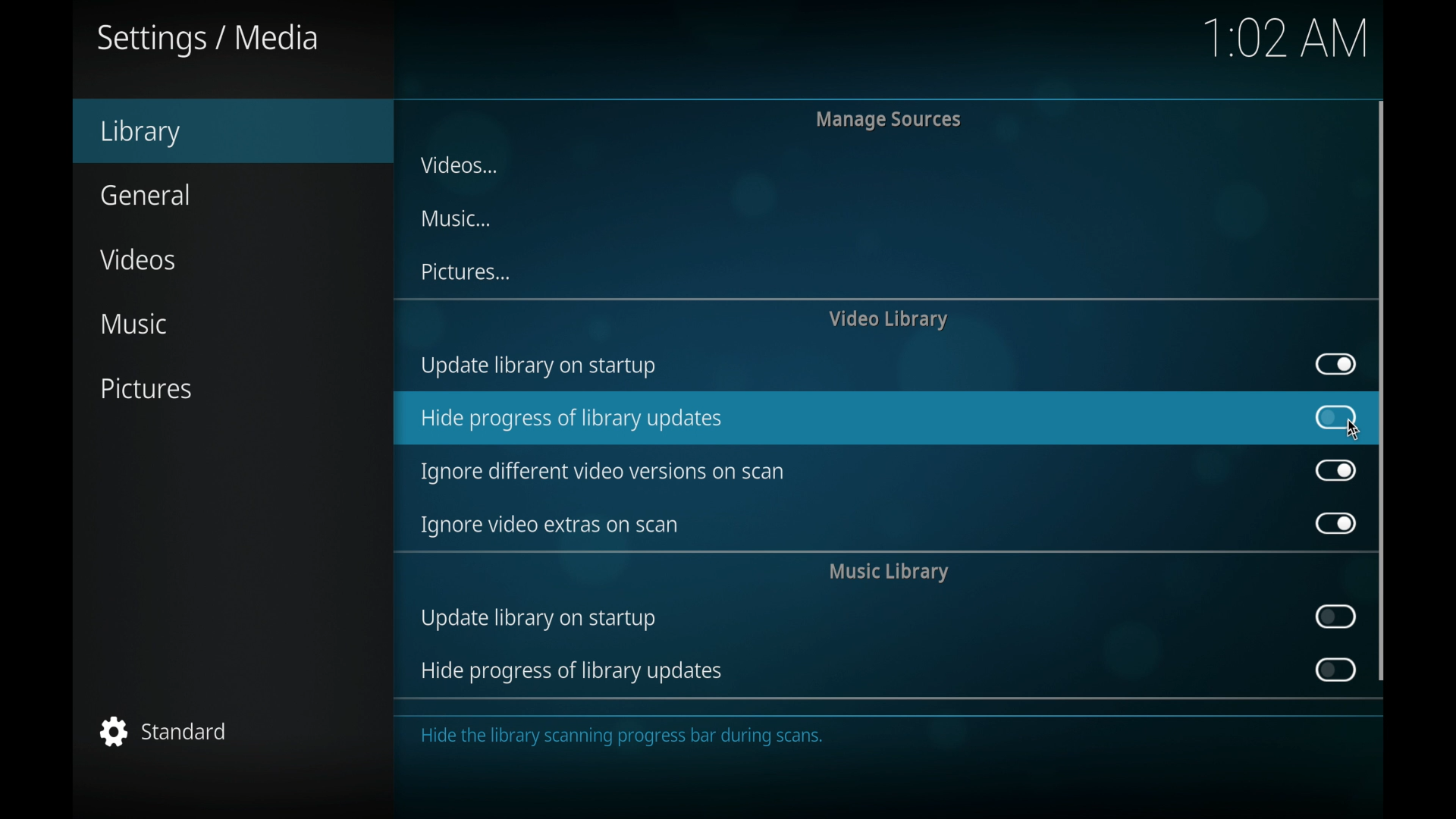  Describe the element at coordinates (136, 259) in the screenshot. I see `videos` at that location.